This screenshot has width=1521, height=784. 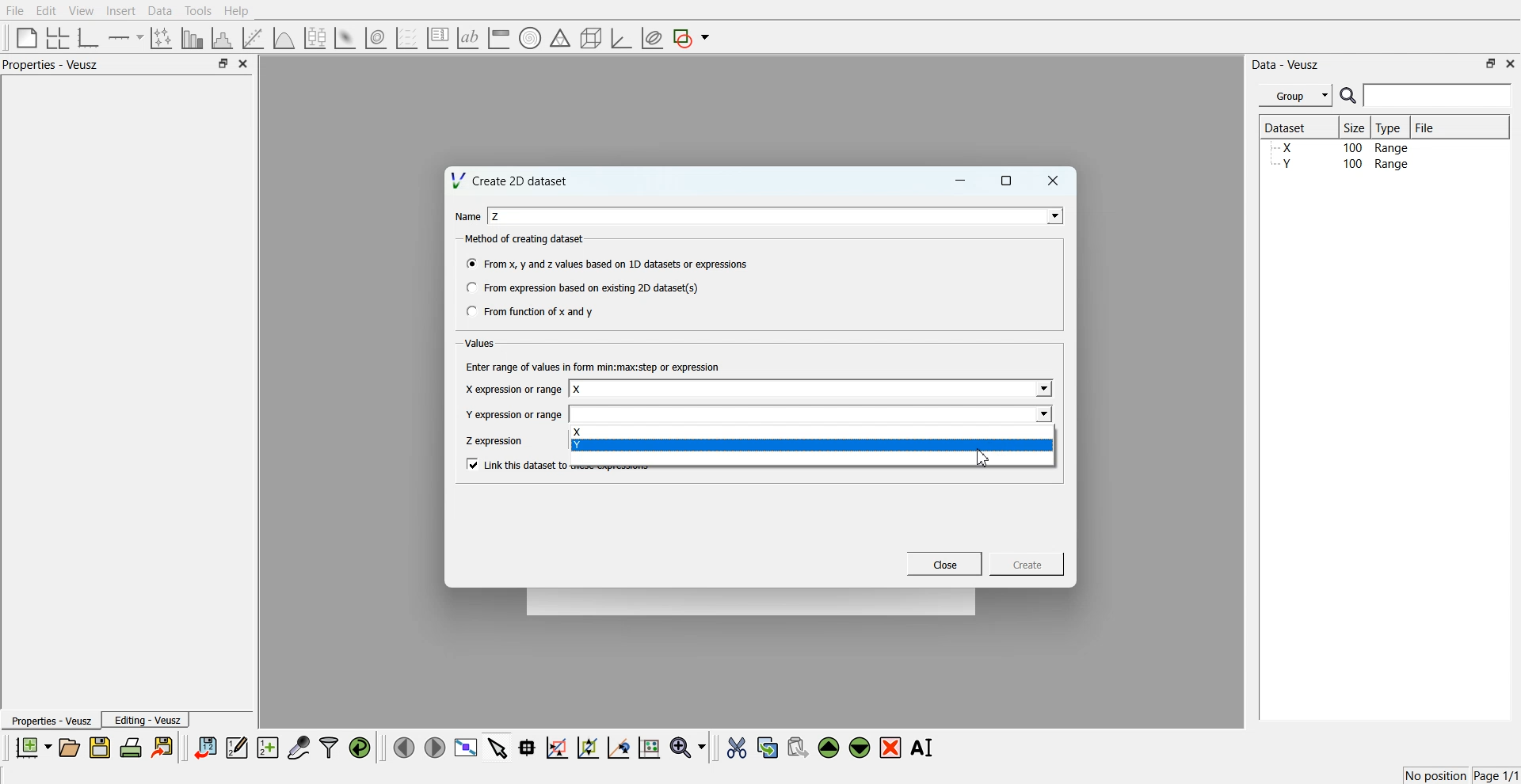 I want to click on File, so click(x=1427, y=127).